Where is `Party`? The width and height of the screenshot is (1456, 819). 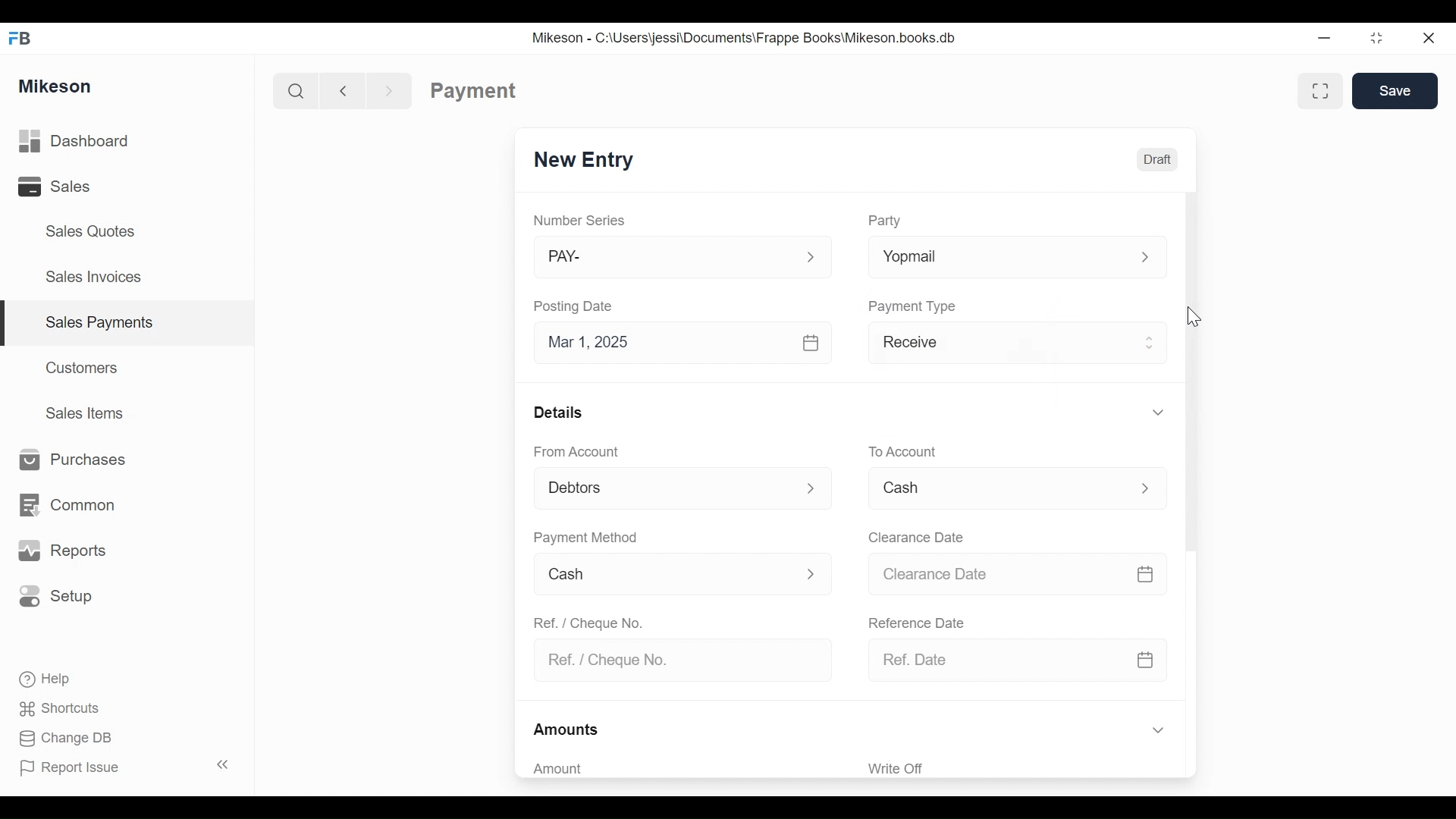 Party is located at coordinates (889, 221).